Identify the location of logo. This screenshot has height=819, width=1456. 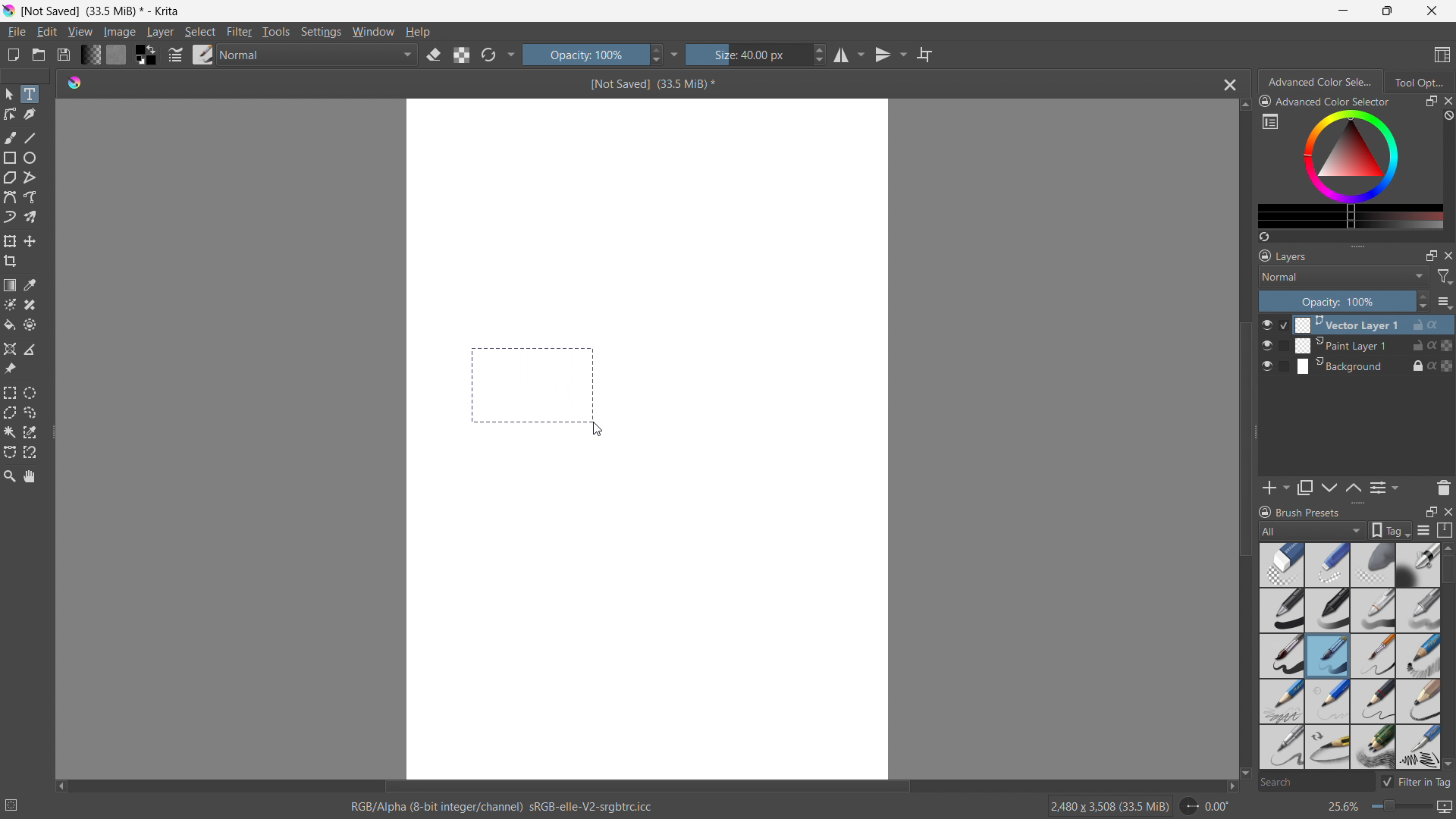
(9, 11).